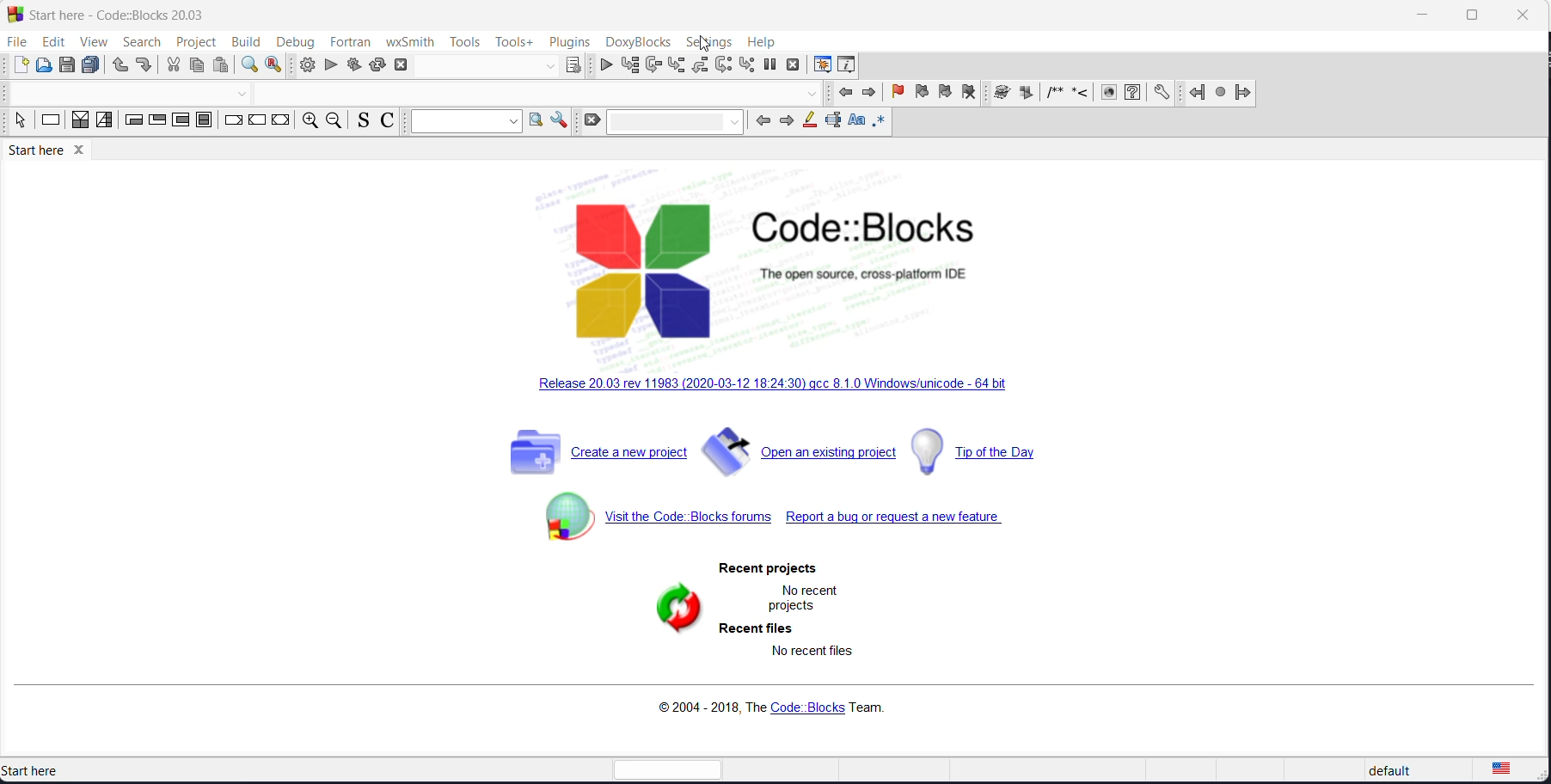 This screenshot has height=784, width=1551. Describe the element at coordinates (922, 94) in the screenshot. I see `previous bookmark` at that location.